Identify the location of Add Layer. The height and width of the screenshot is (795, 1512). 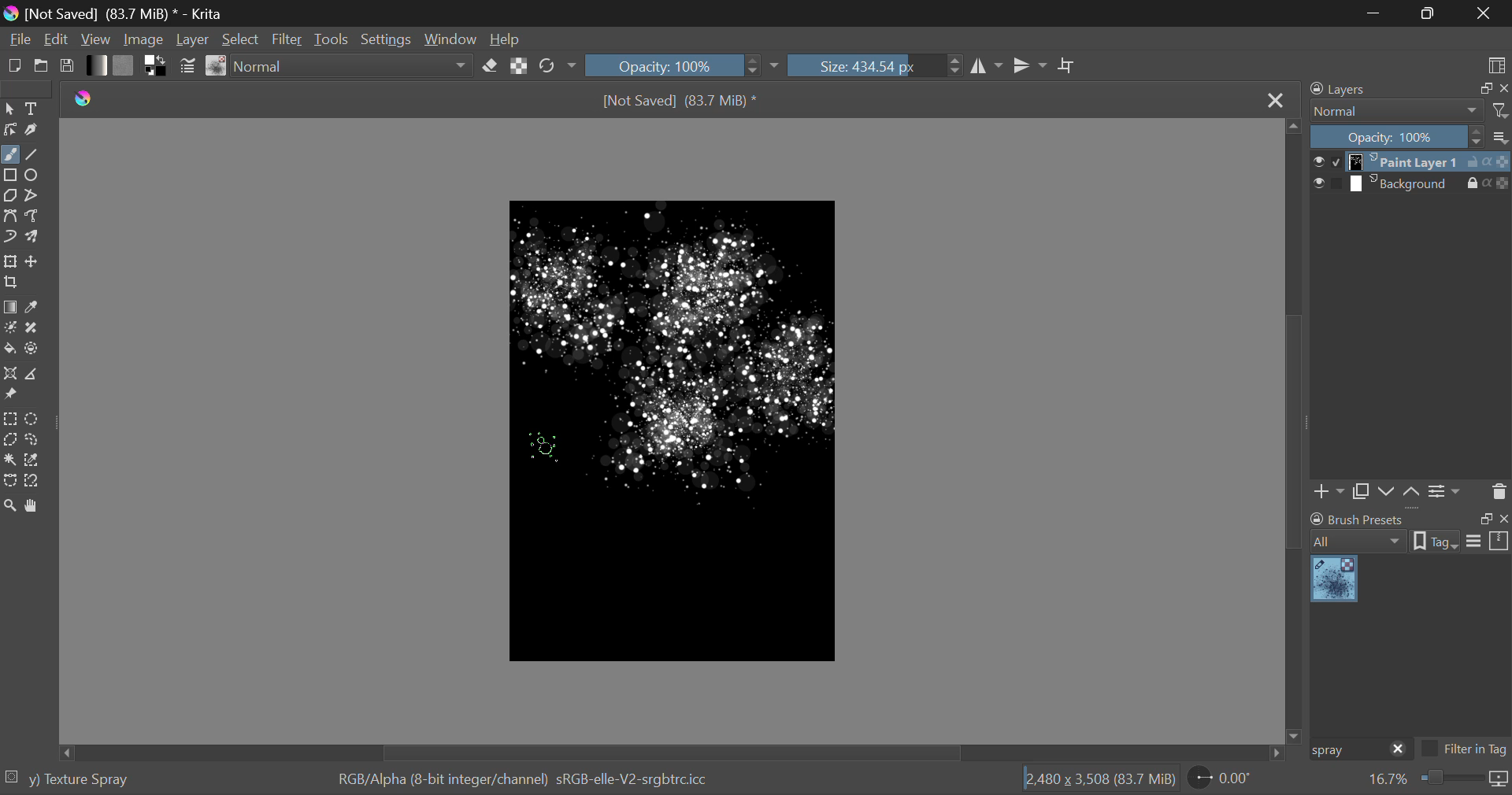
(1329, 494).